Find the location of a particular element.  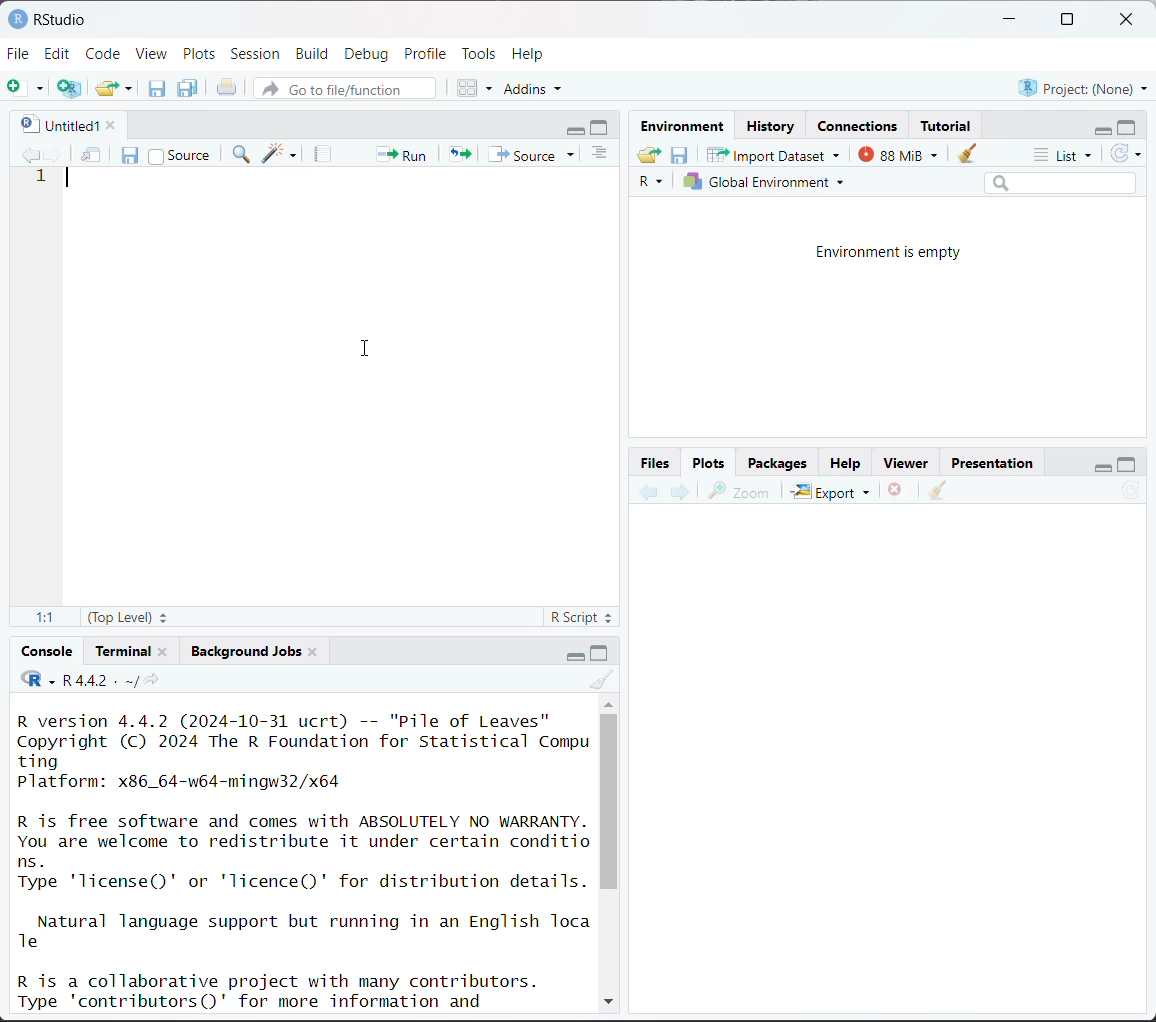

R script is located at coordinates (582, 620).